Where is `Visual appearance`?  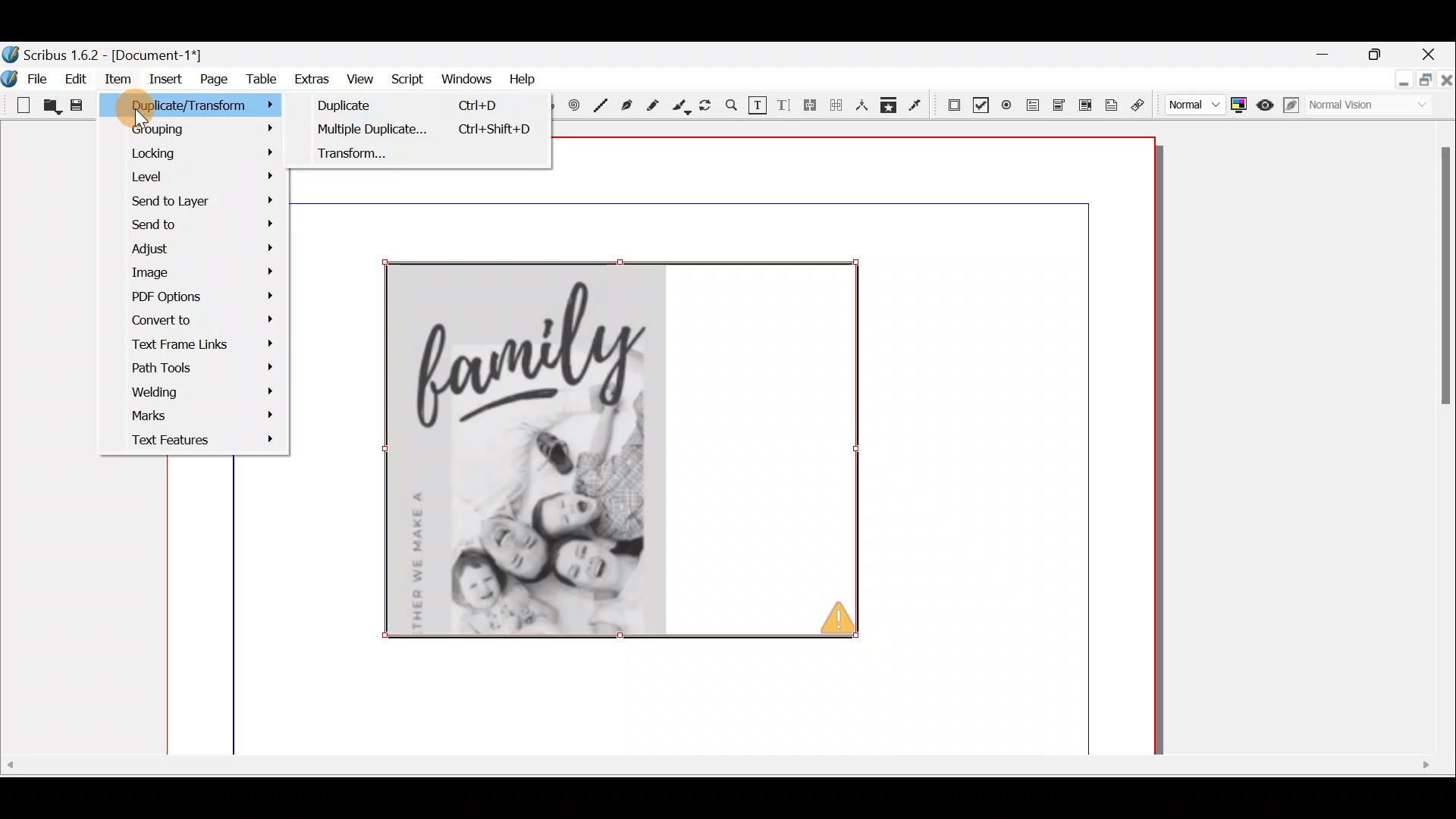
Visual appearance is located at coordinates (1367, 108).